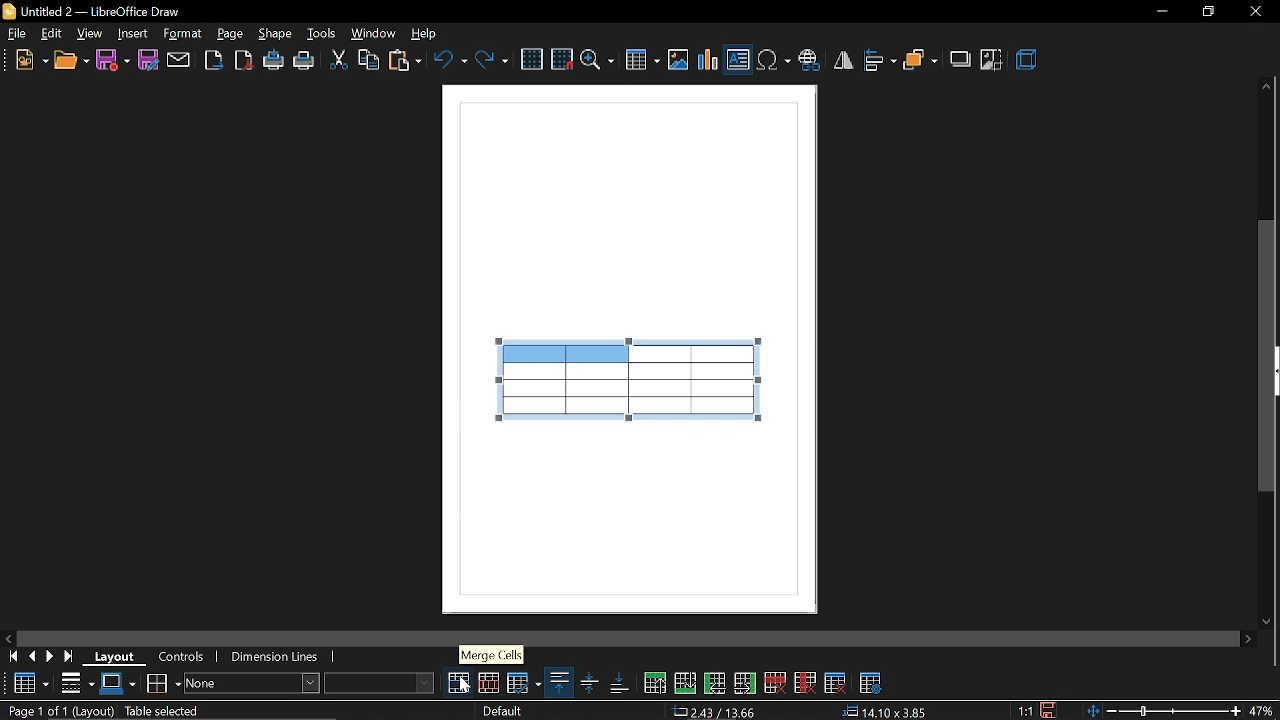 The image size is (1280, 720). Describe the element at coordinates (14, 33) in the screenshot. I see `file` at that location.